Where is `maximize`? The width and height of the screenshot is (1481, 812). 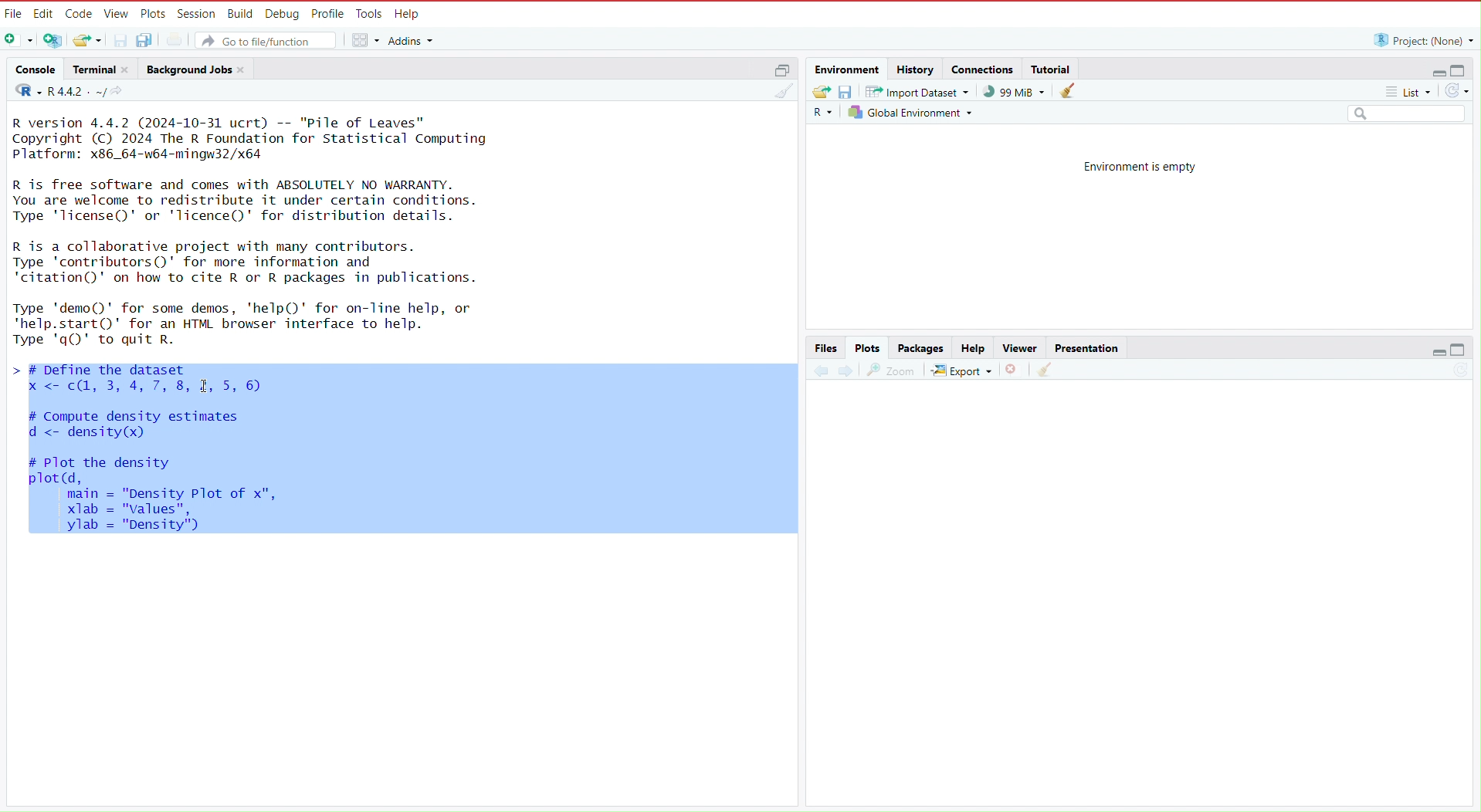
maximize is located at coordinates (784, 70).